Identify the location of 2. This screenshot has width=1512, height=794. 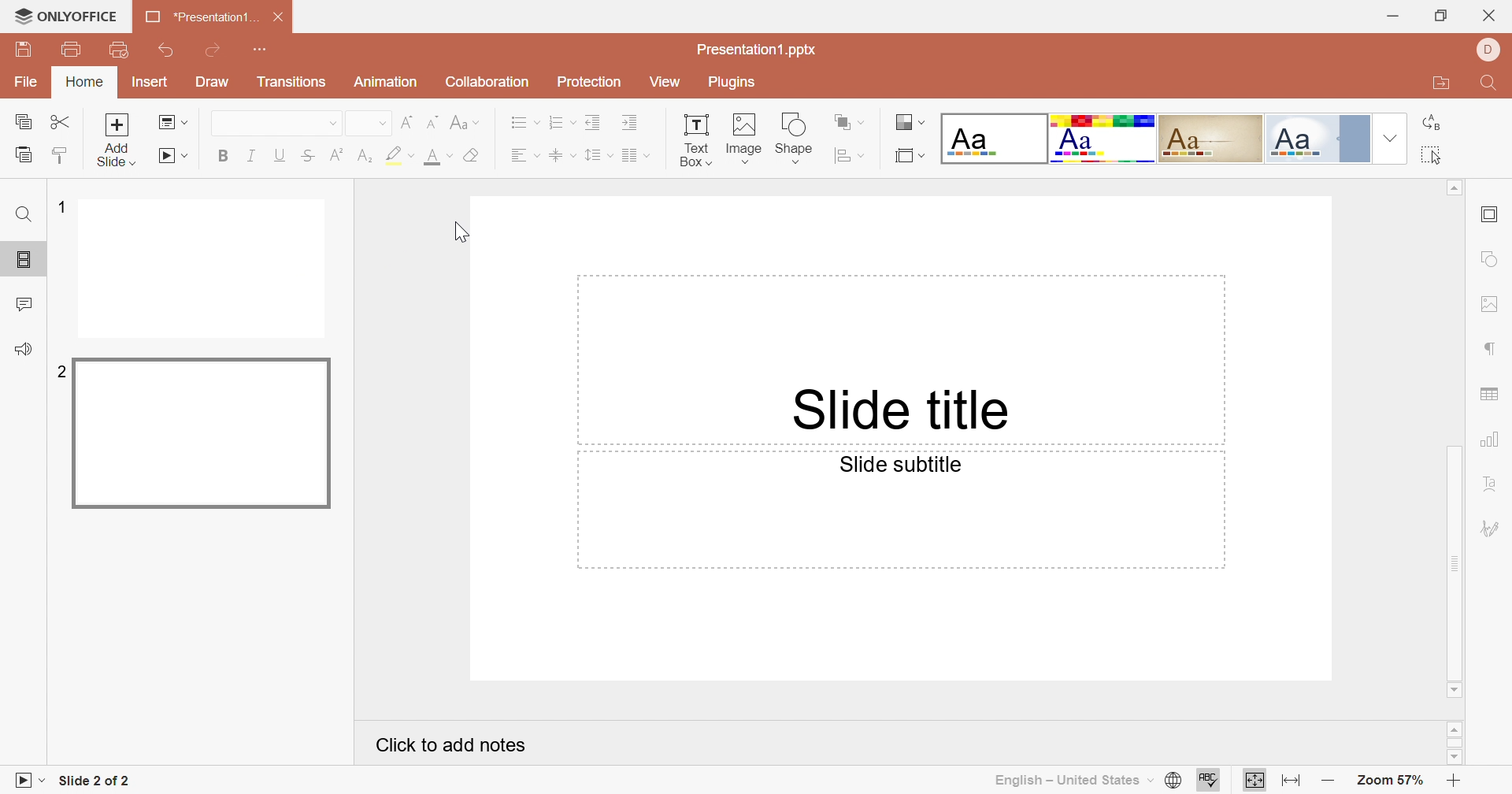
(59, 372).